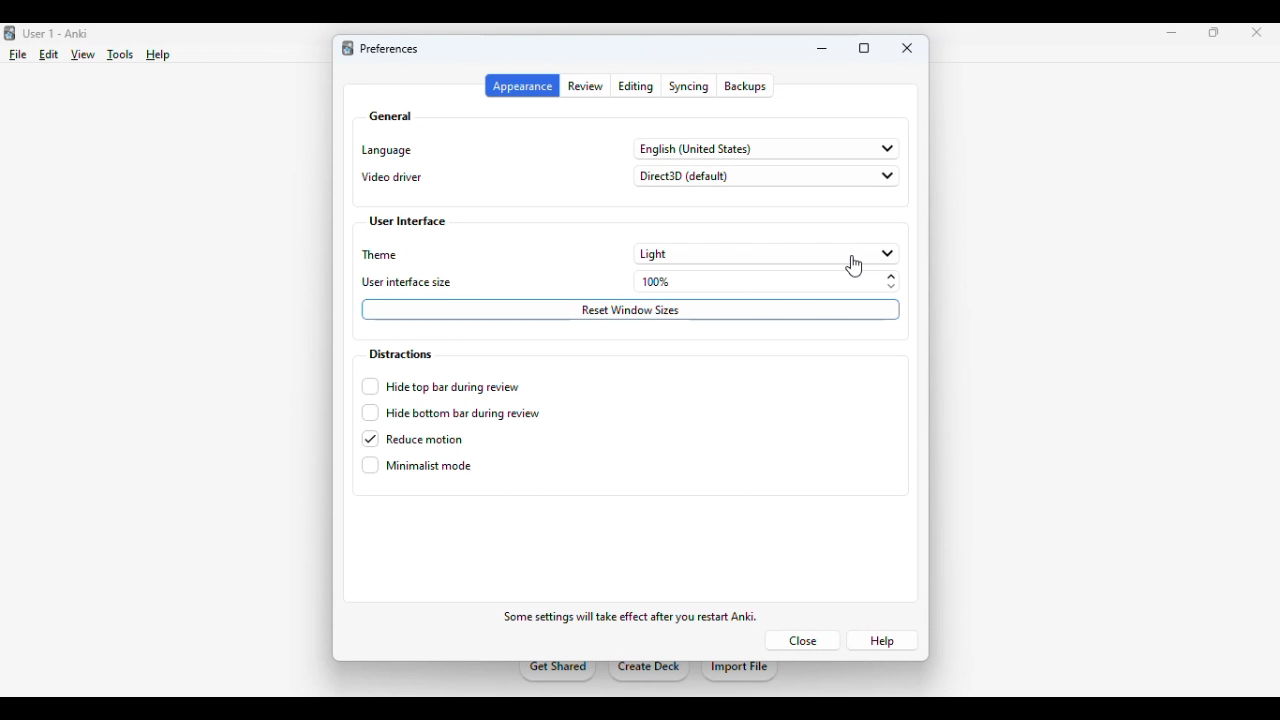 This screenshot has height=720, width=1280. I want to click on light, so click(767, 253).